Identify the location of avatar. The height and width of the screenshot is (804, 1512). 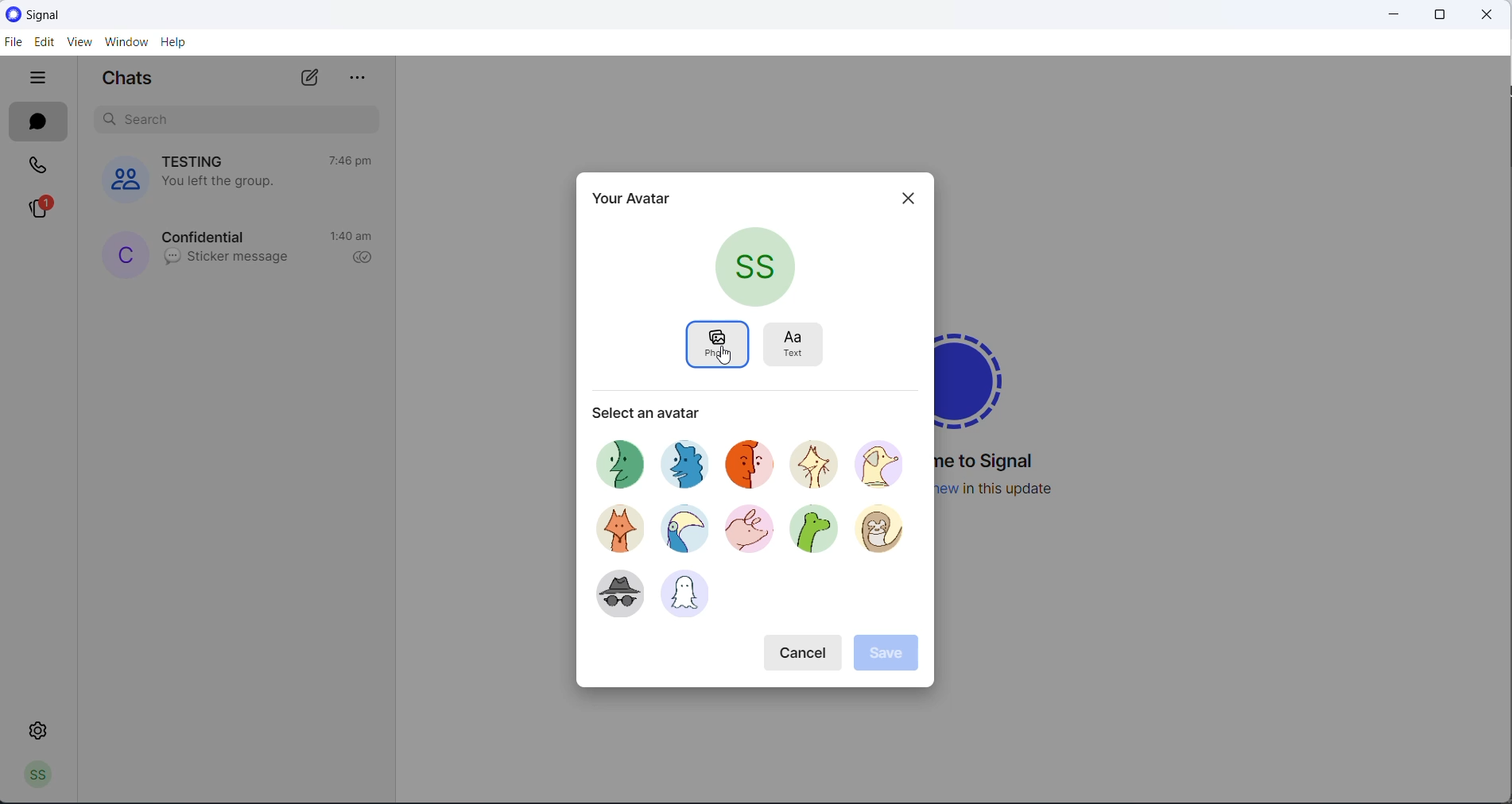
(612, 528).